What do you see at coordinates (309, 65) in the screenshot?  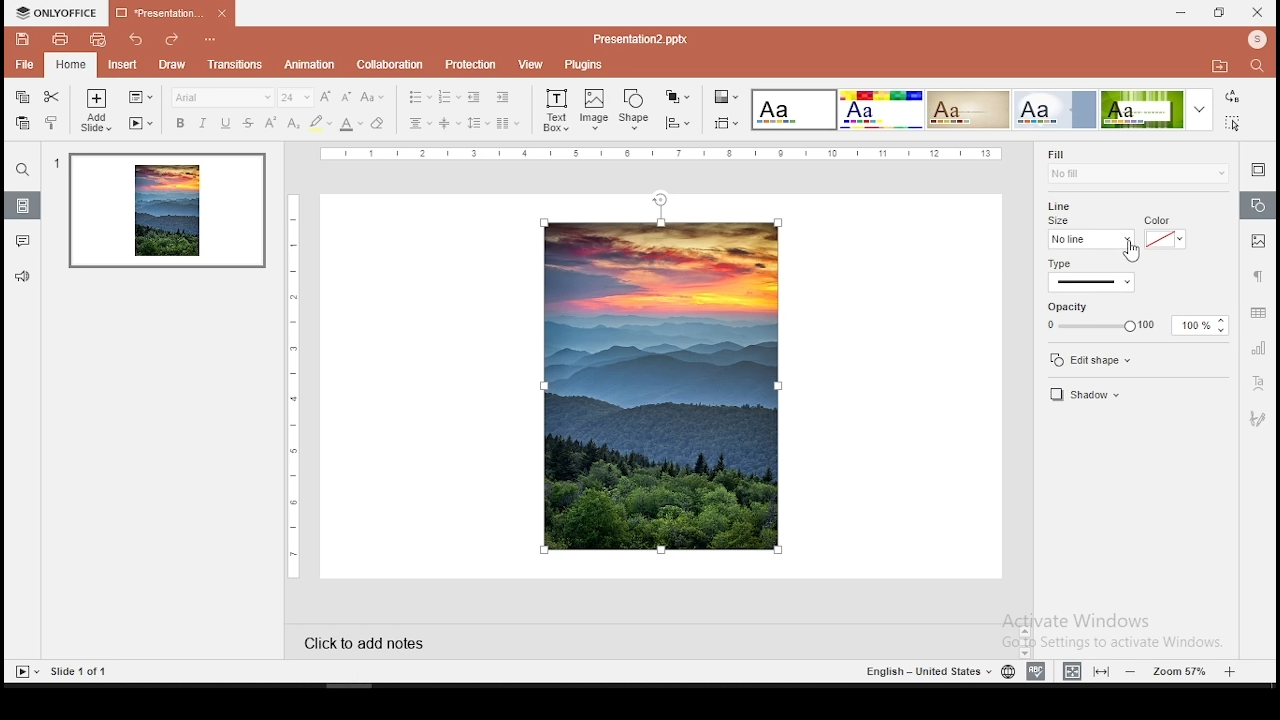 I see `animation` at bounding box center [309, 65].